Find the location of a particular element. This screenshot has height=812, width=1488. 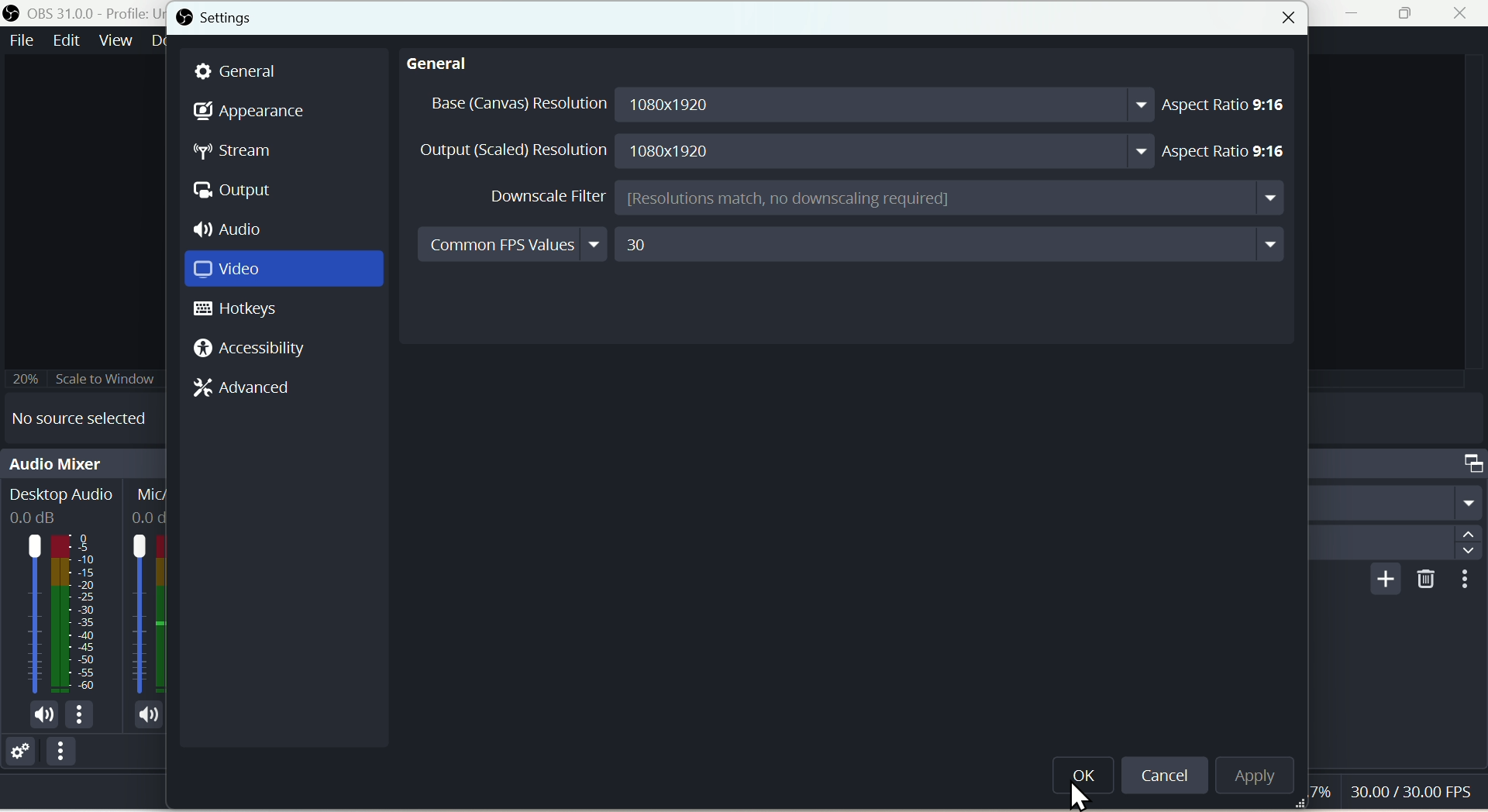

Hot keys is located at coordinates (245, 311).